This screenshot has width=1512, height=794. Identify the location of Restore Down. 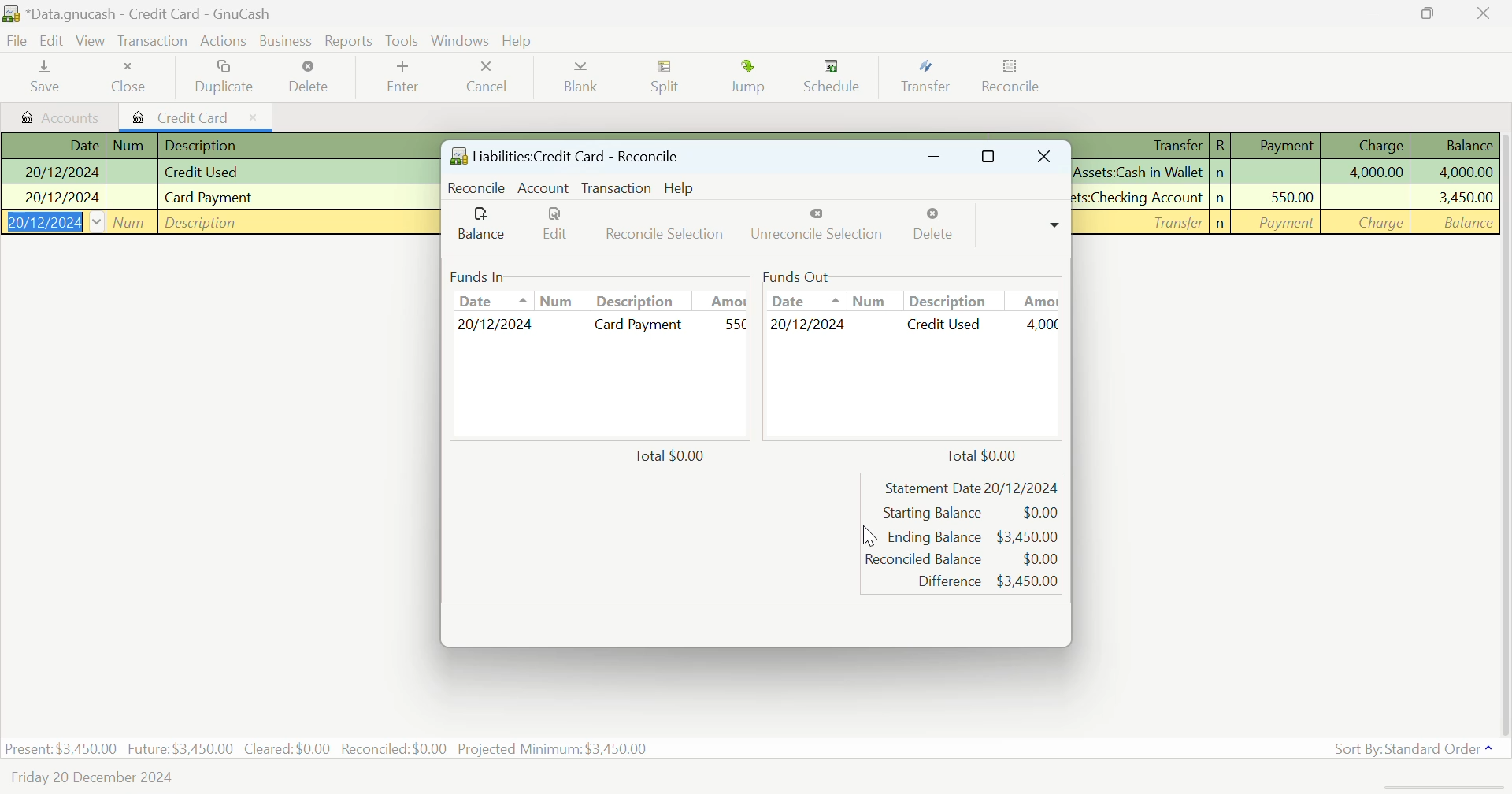
(1375, 13).